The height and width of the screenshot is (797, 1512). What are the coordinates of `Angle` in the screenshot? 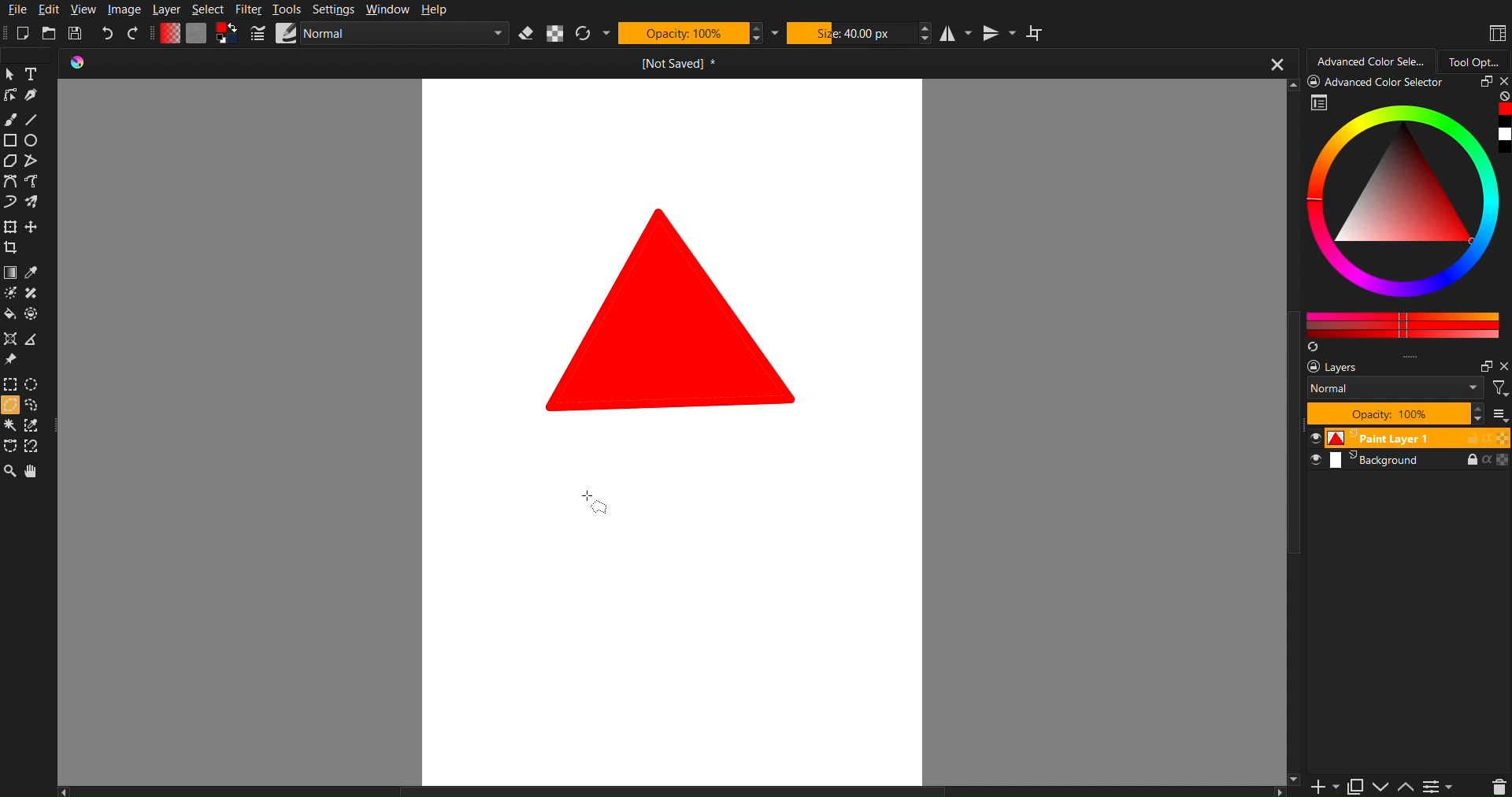 It's located at (31, 342).